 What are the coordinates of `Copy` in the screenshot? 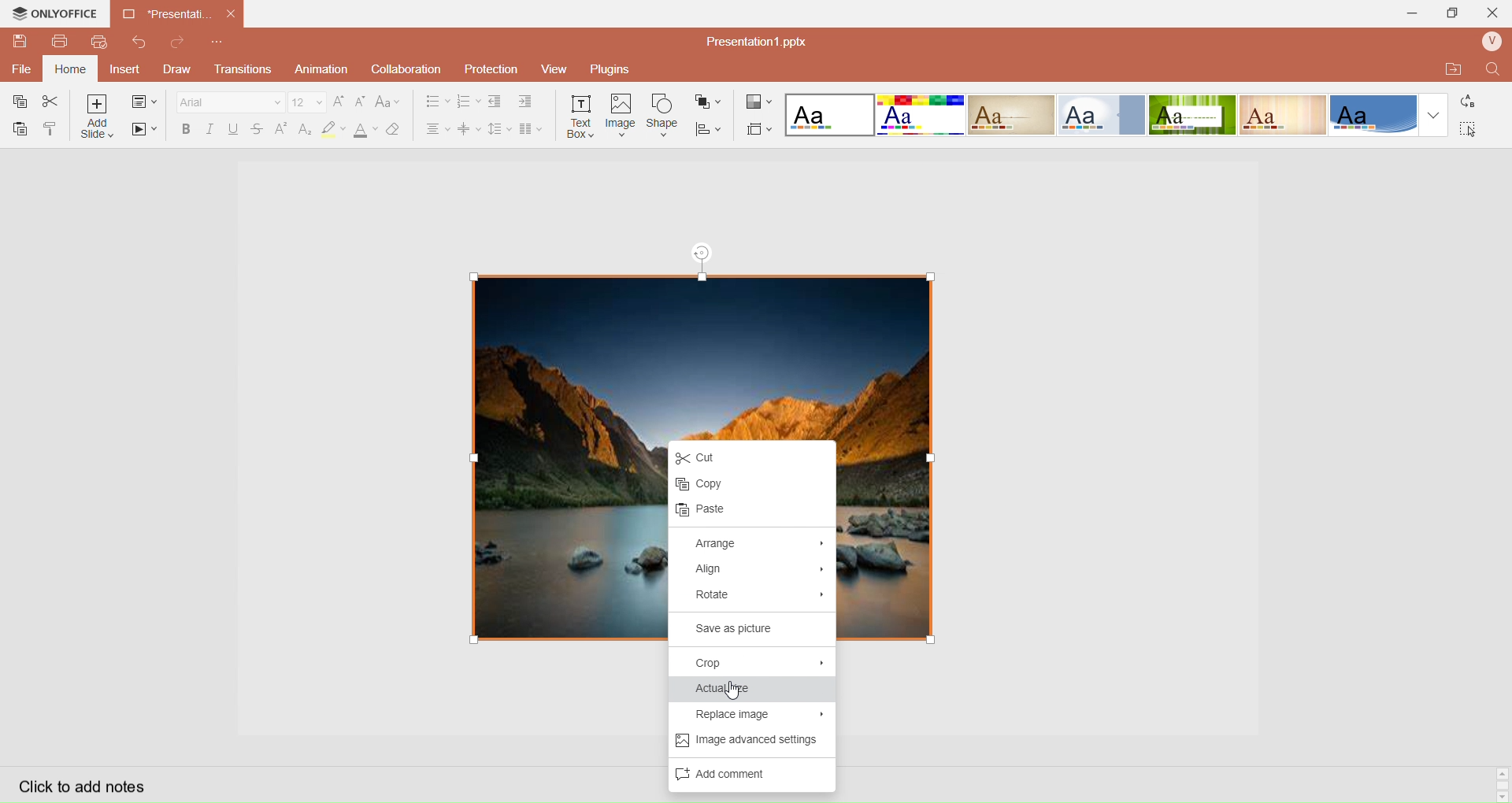 It's located at (20, 102).